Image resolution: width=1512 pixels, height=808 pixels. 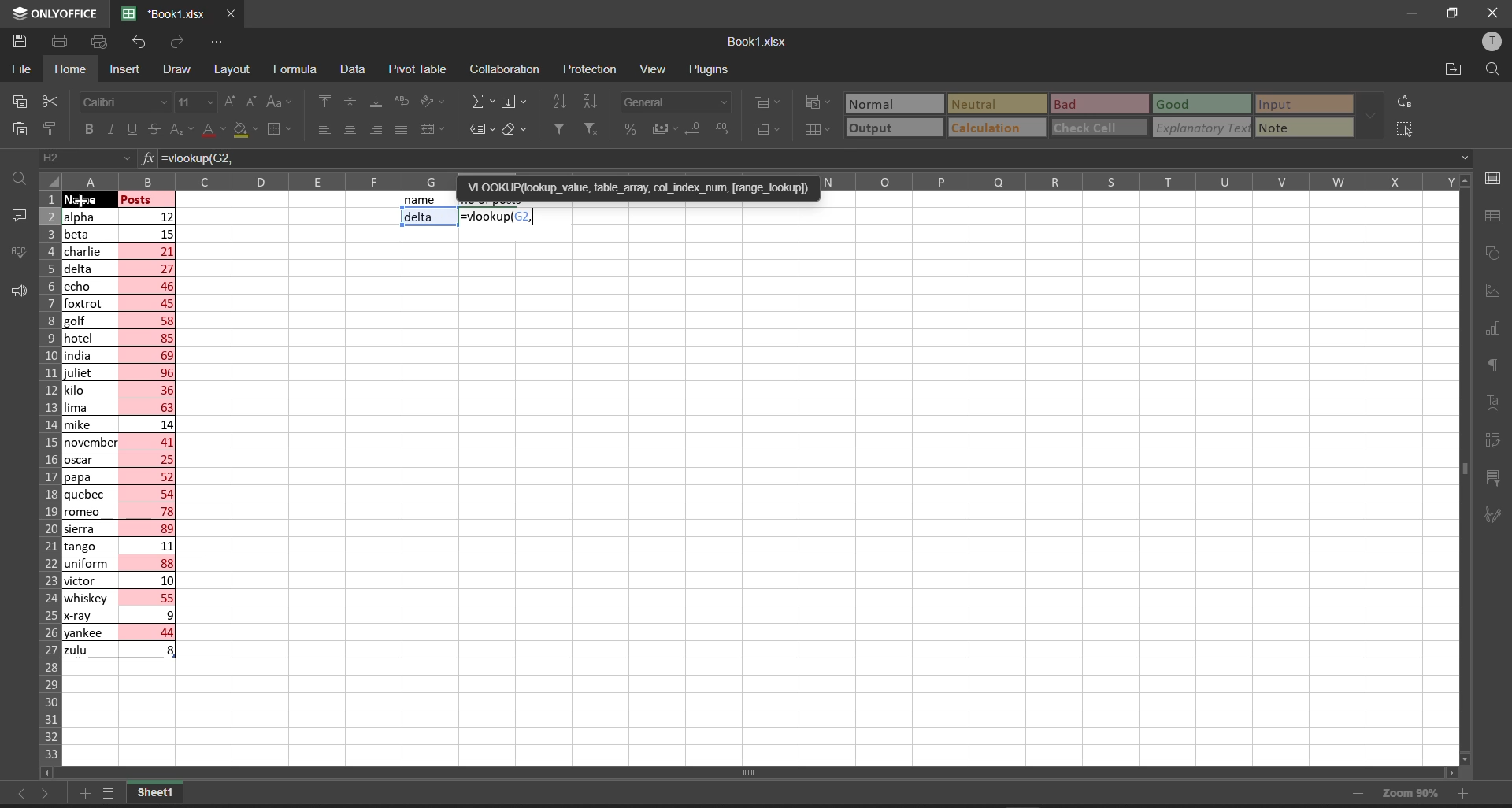 What do you see at coordinates (149, 429) in the screenshot?
I see `posts` at bounding box center [149, 429].